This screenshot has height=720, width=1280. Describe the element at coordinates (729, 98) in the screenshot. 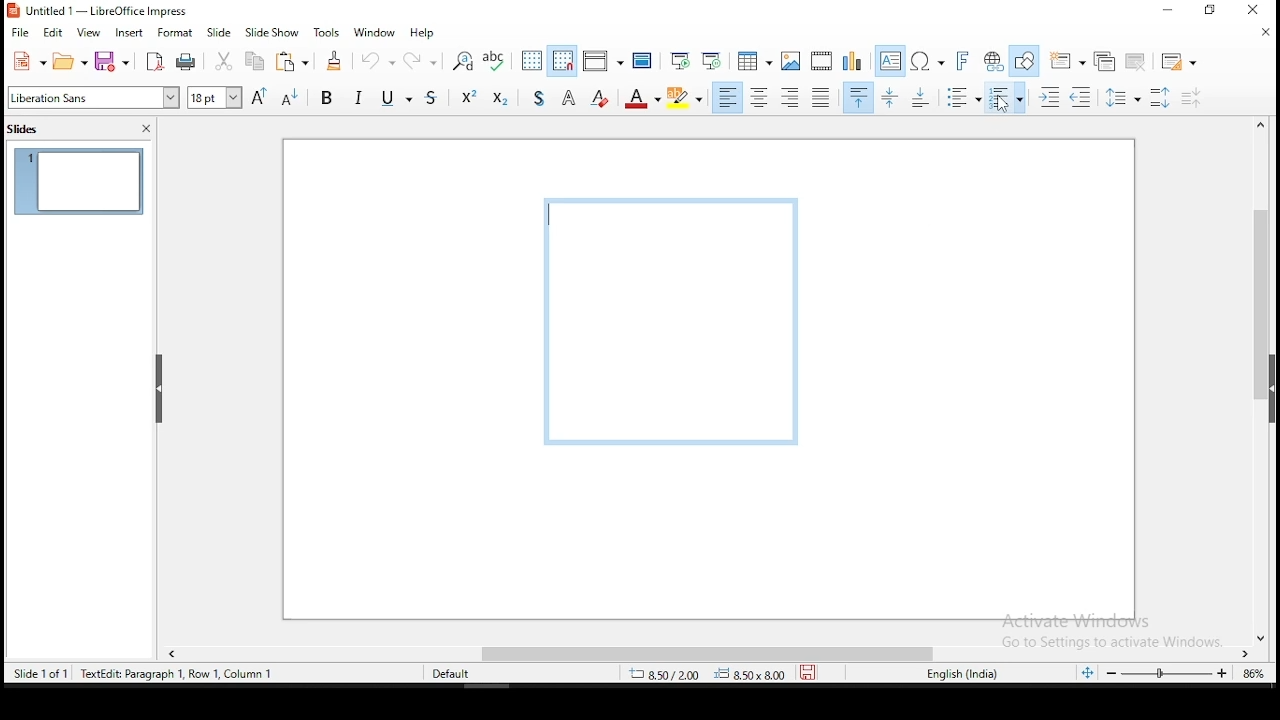

I see `align left` at that location.